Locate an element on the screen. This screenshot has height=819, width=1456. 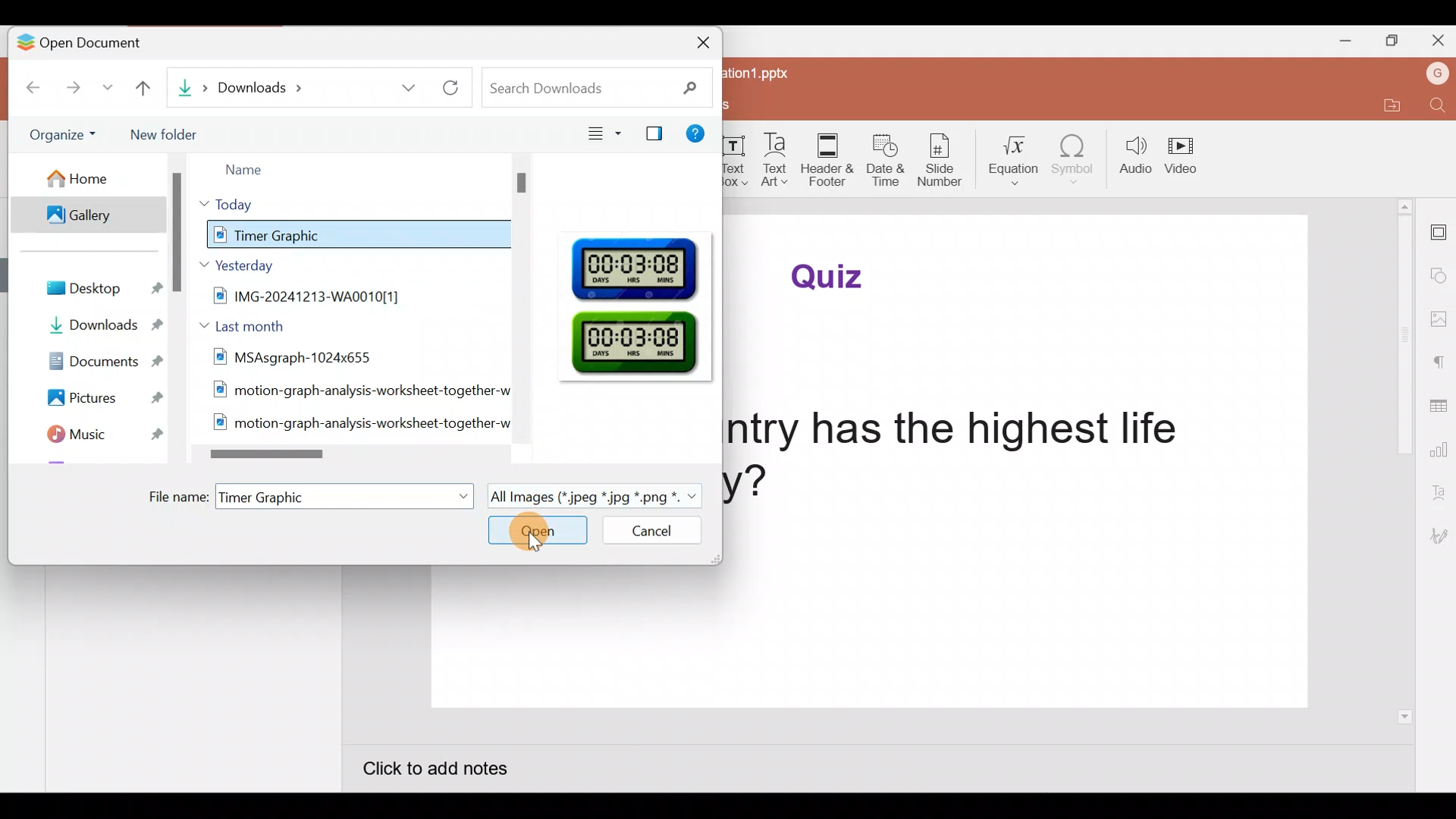
Preview pane is located at coordinates (623, 306).